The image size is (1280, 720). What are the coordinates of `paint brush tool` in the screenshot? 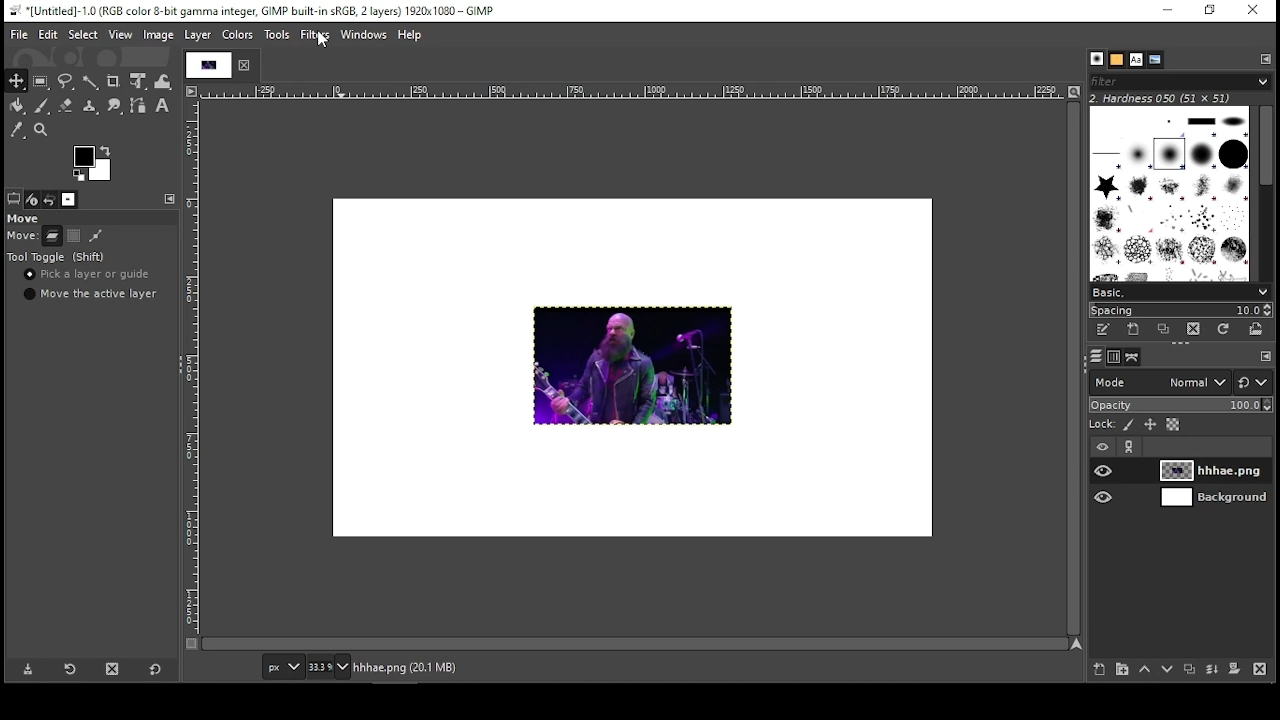 It's located at (44, 106).